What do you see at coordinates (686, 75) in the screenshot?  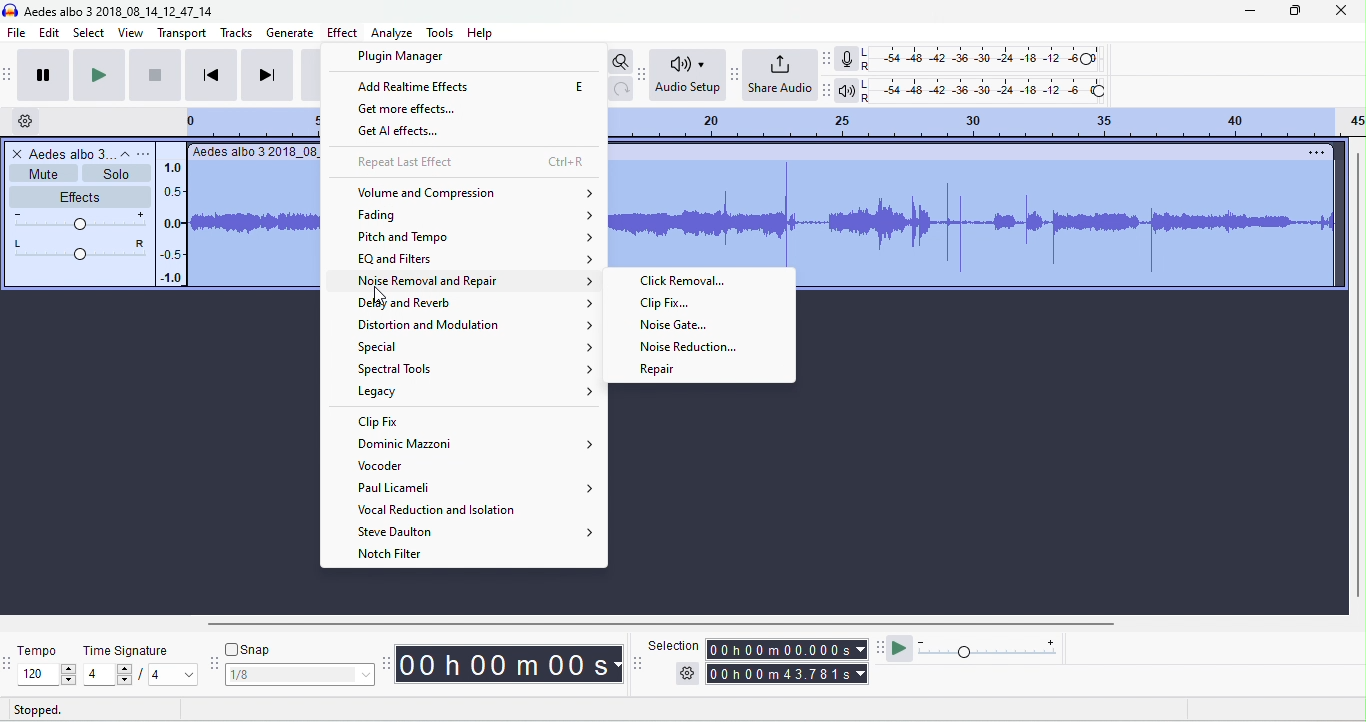 I see `audio set up` at bounding box center [686, 75].